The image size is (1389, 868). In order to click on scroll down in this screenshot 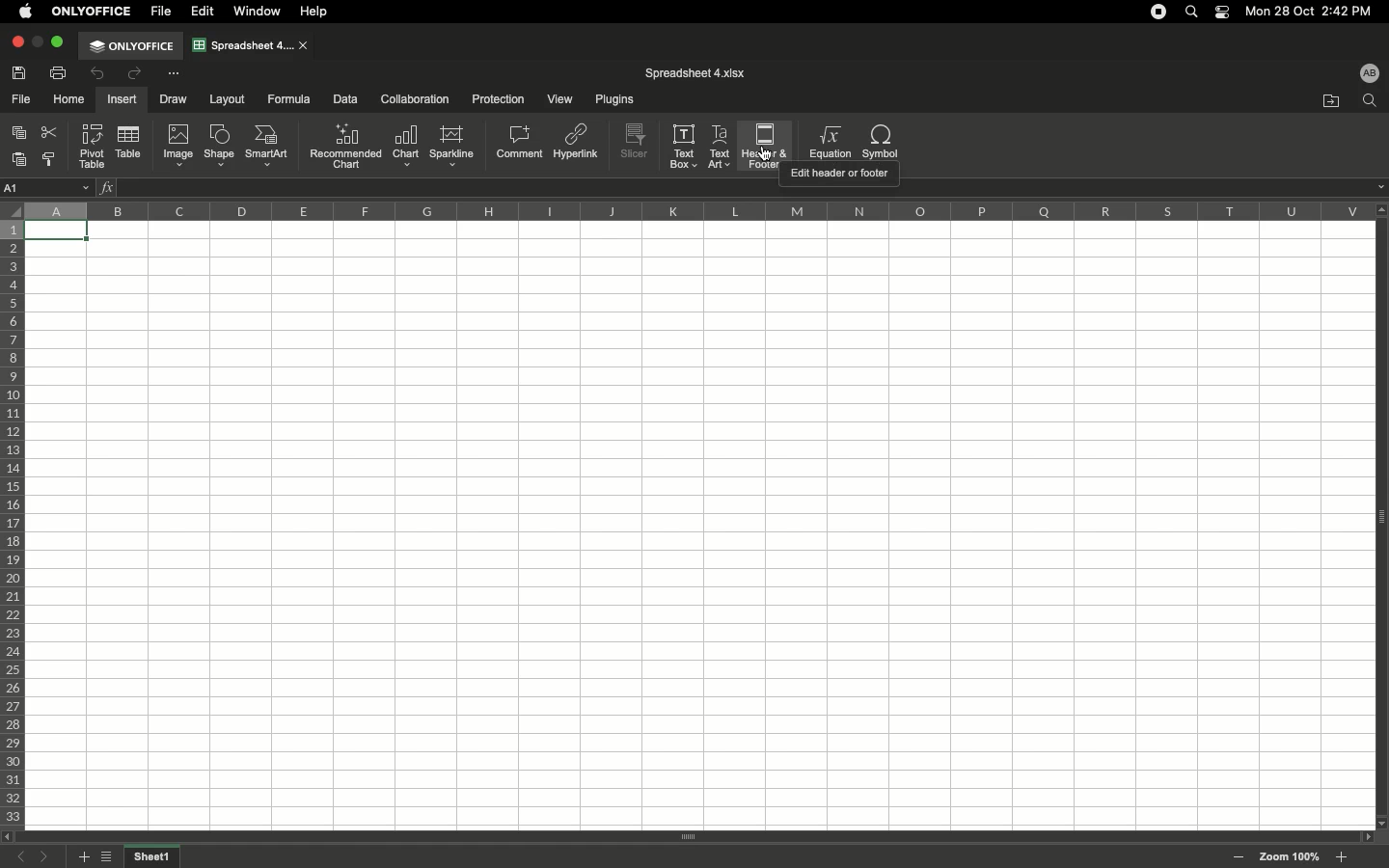, I will do `click(1380, 822)`.